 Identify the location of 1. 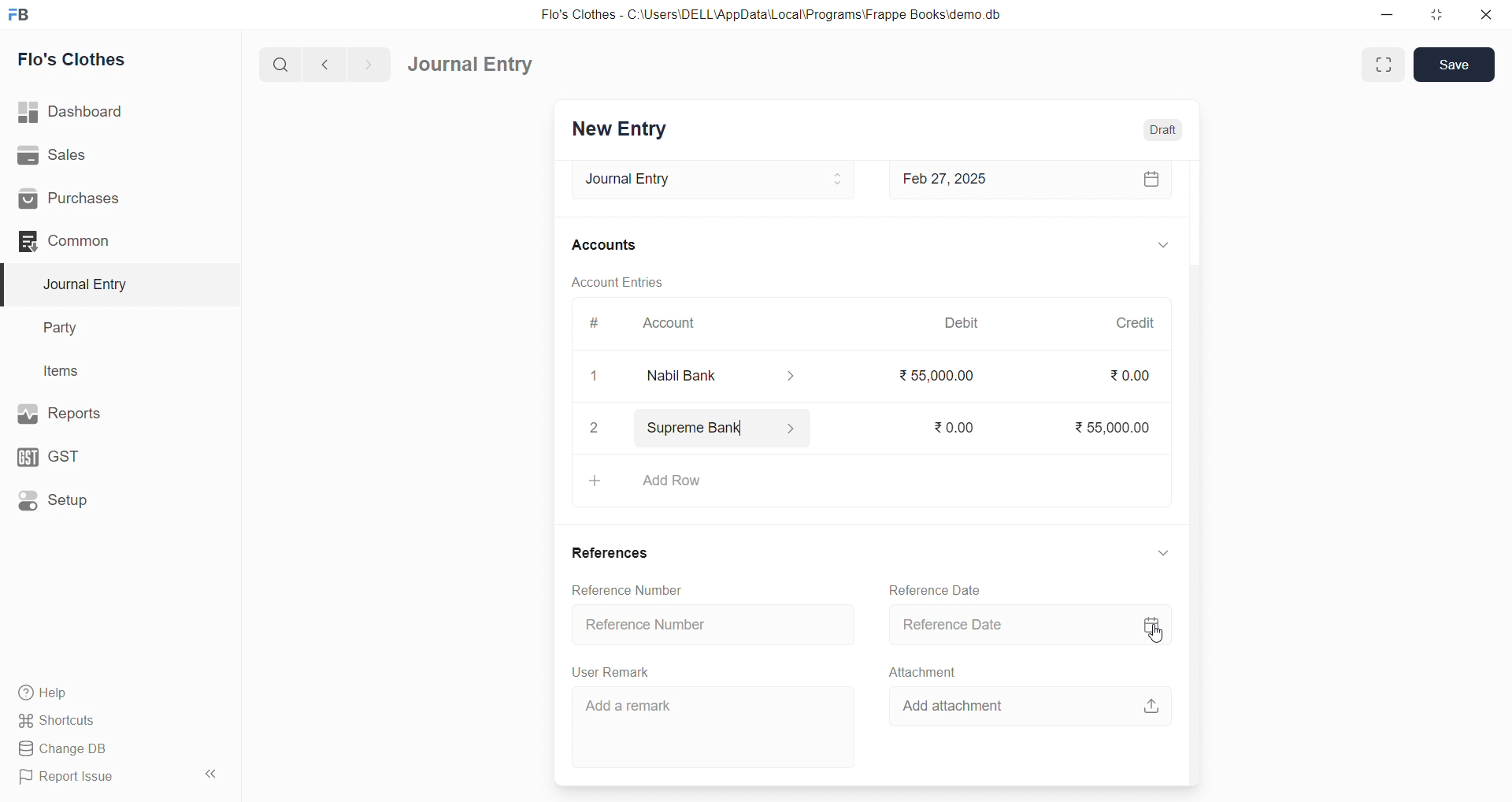
(596, 377).